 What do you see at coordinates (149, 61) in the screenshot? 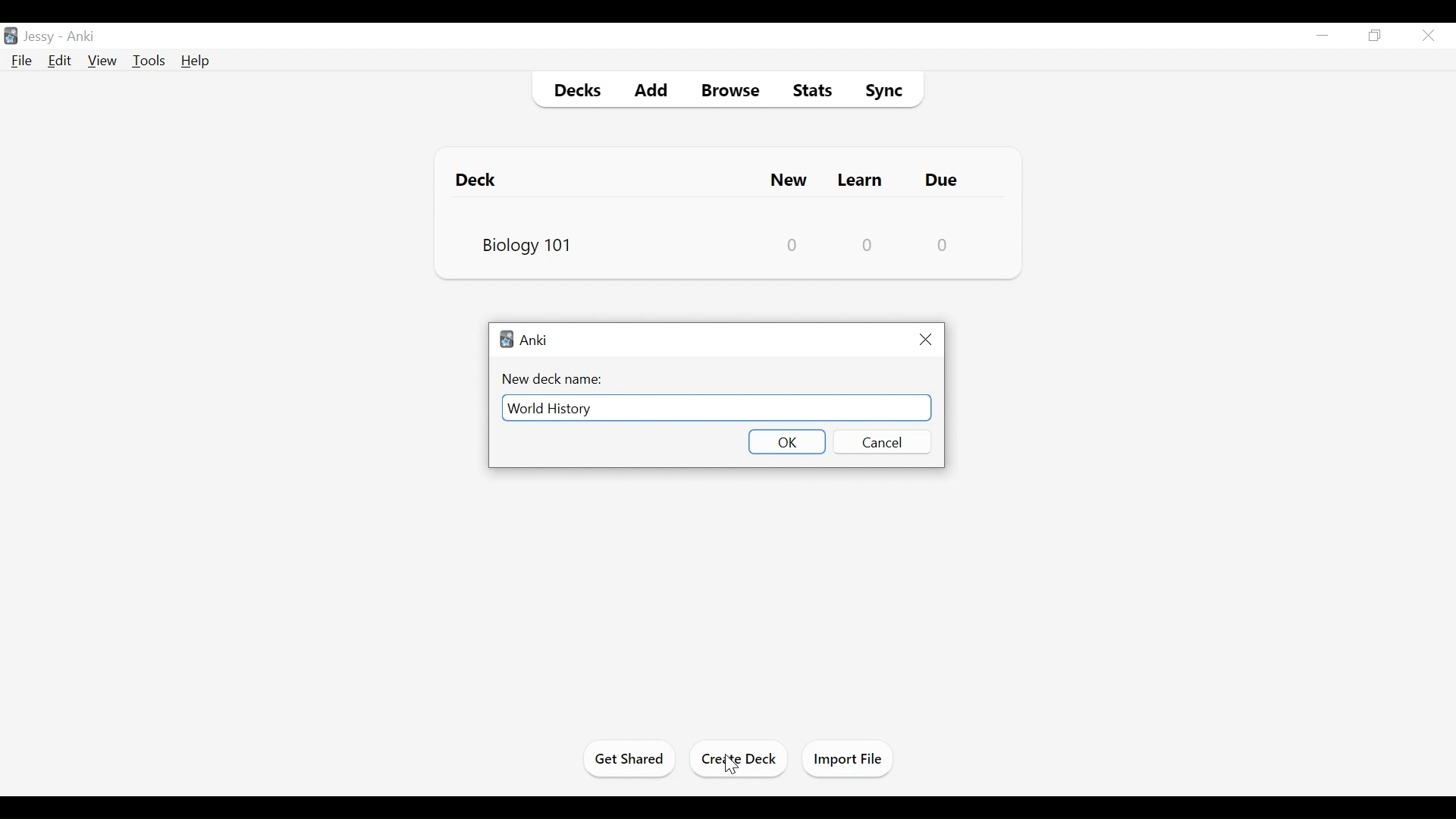
I see `Tools` at bounding box center [149, 61].